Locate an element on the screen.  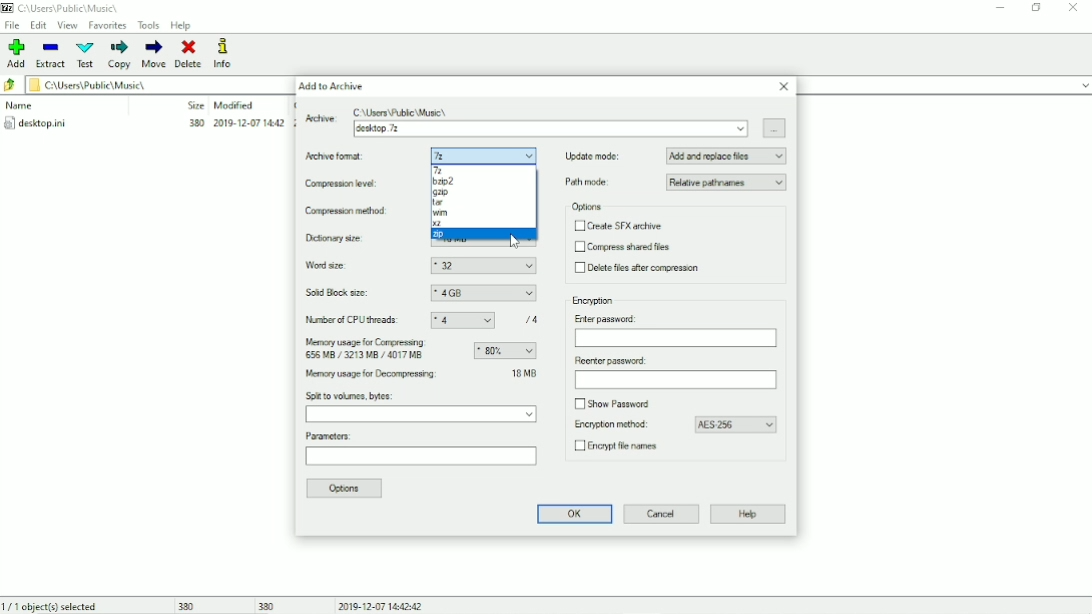
Add is located at coordinates (17, 53).